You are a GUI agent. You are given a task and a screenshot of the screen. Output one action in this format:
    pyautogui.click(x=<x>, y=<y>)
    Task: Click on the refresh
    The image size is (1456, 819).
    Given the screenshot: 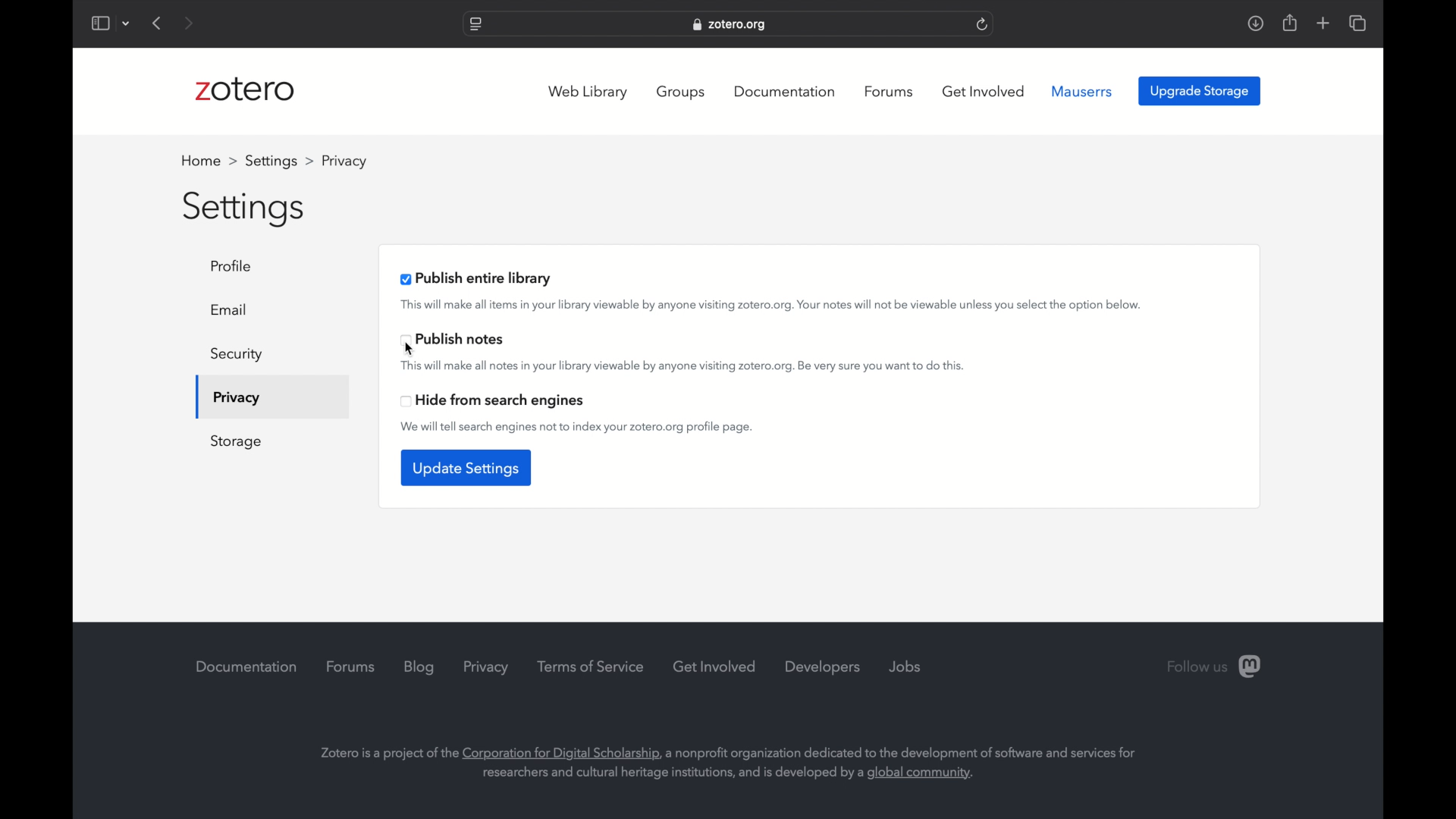 What is the action you would take?
    pyautogui.click(x=983, y=24)
    